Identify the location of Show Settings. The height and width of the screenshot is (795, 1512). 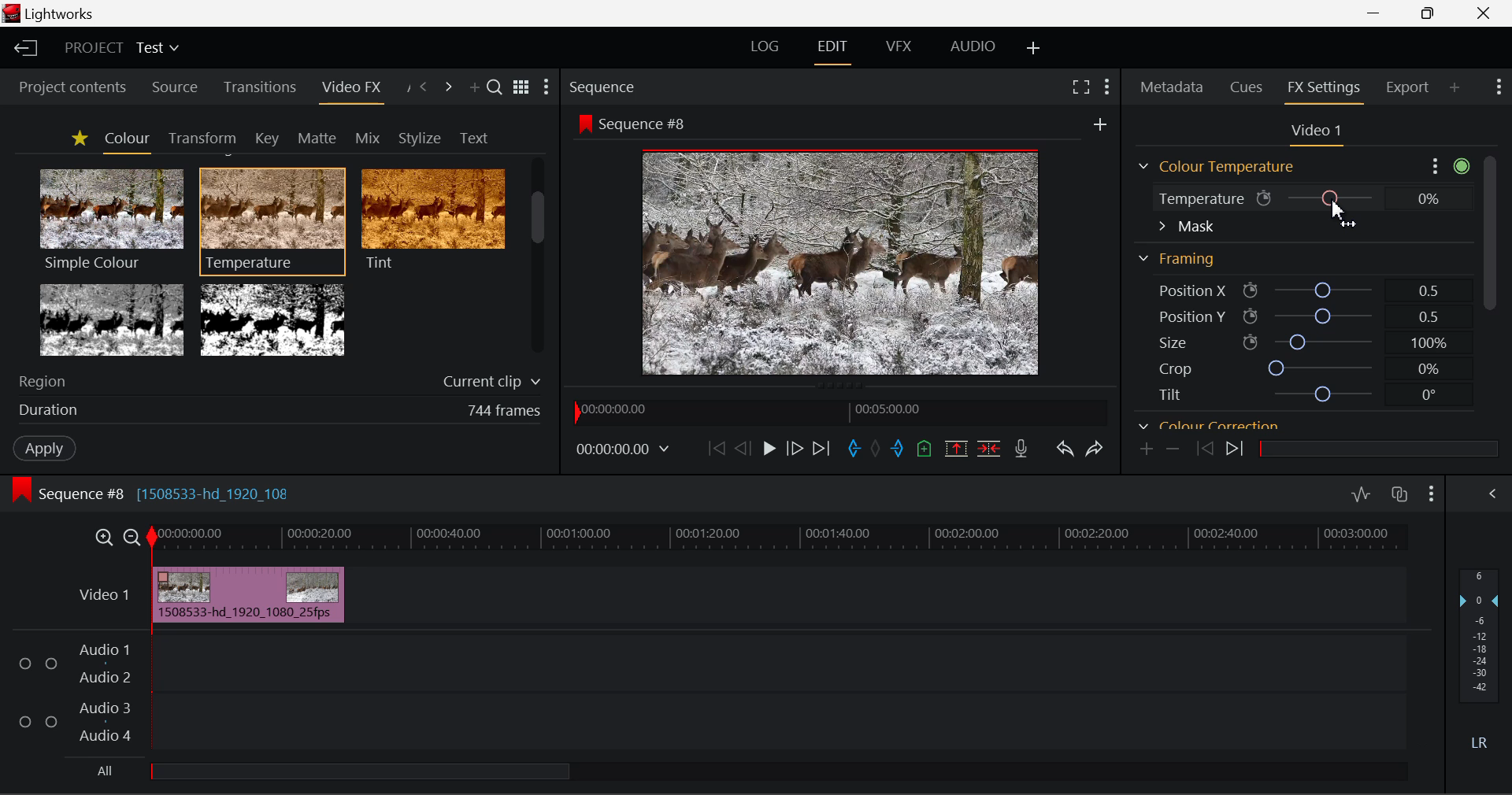
(547, 87).